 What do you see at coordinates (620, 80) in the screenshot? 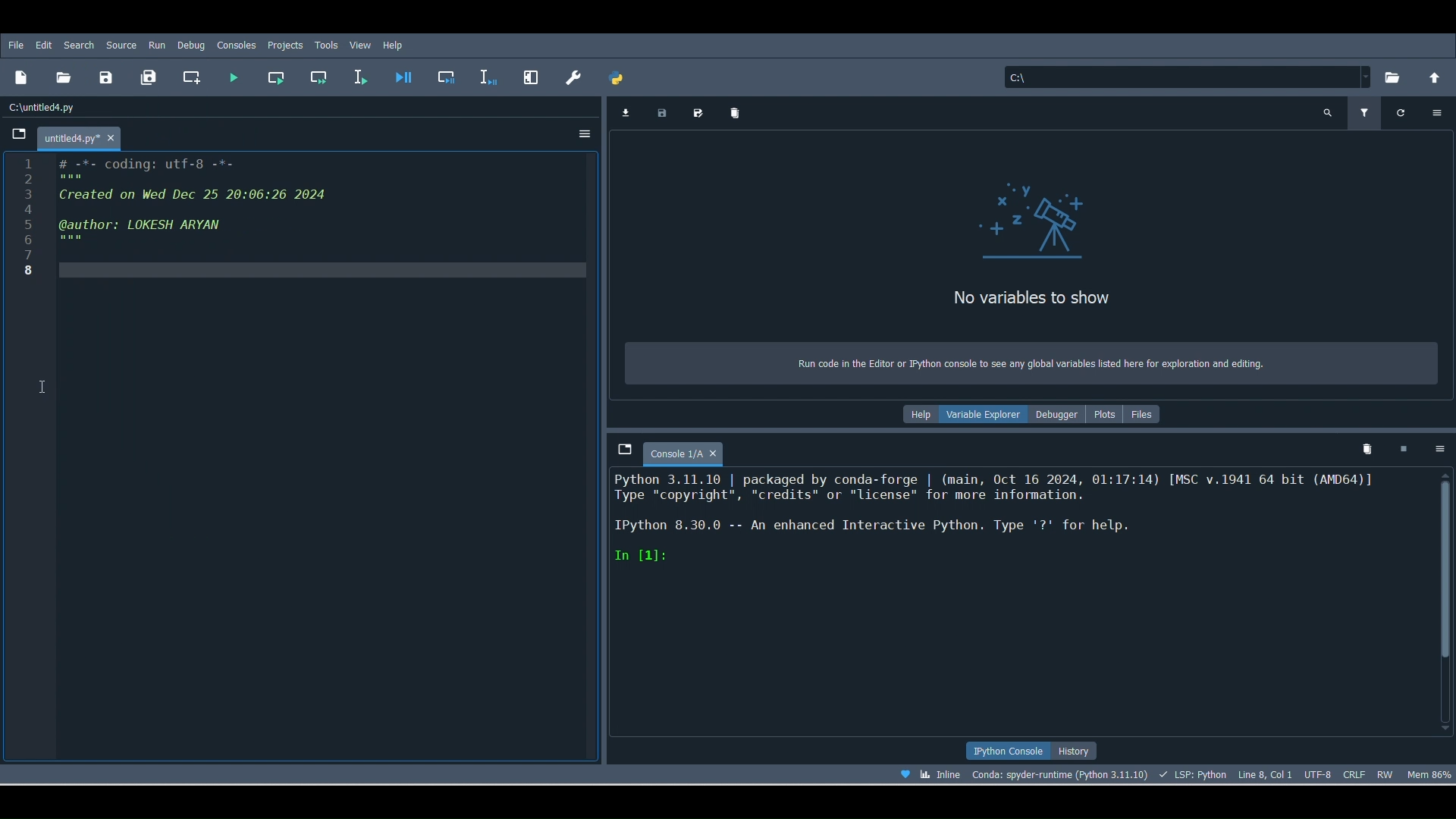
I see `PYTHONPATH manager` at bounding box center [620, 80].